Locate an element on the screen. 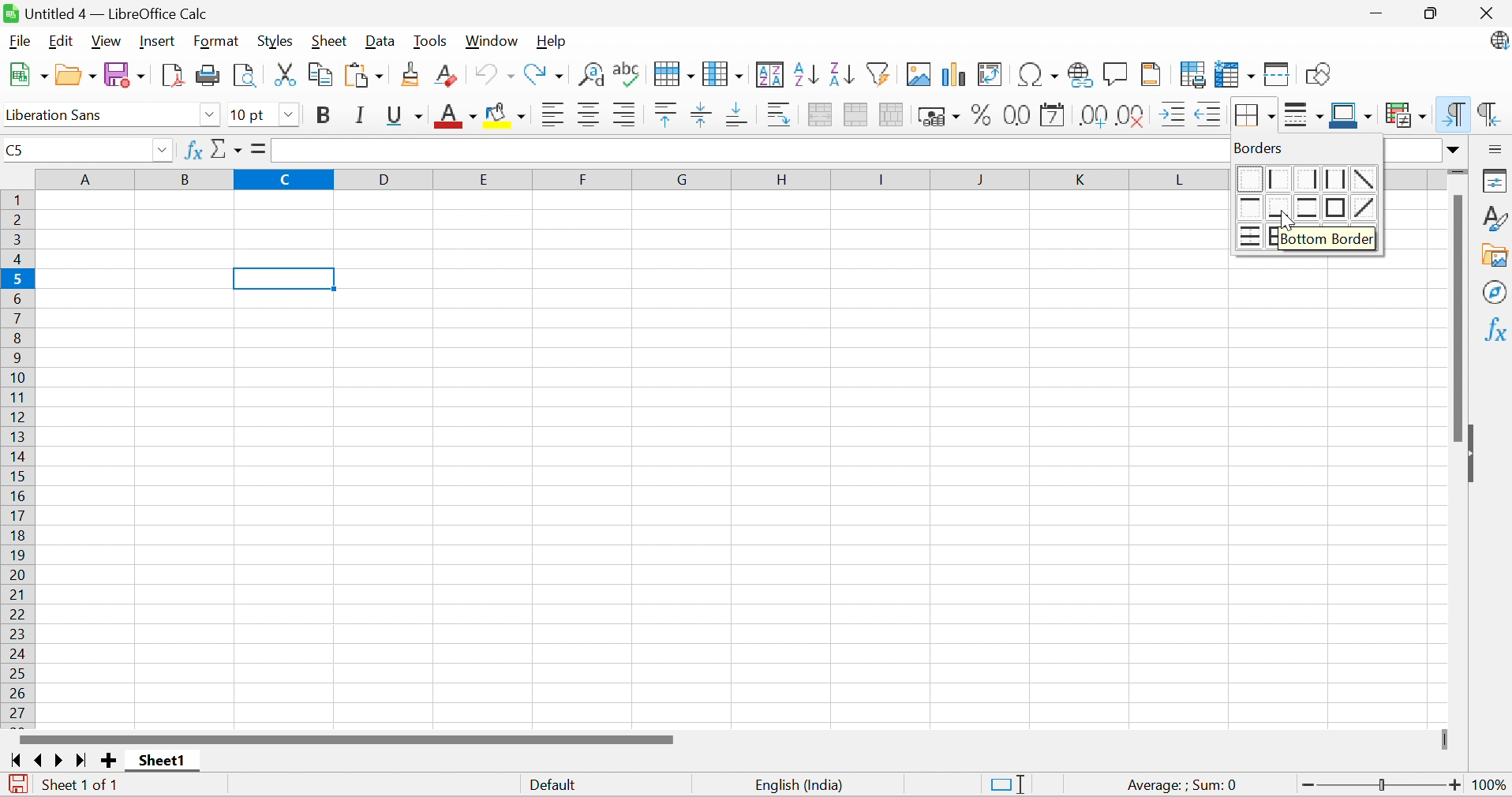 The height and width of the screenshot is (797, 1512). Align center is located at coordinates (592, 115).